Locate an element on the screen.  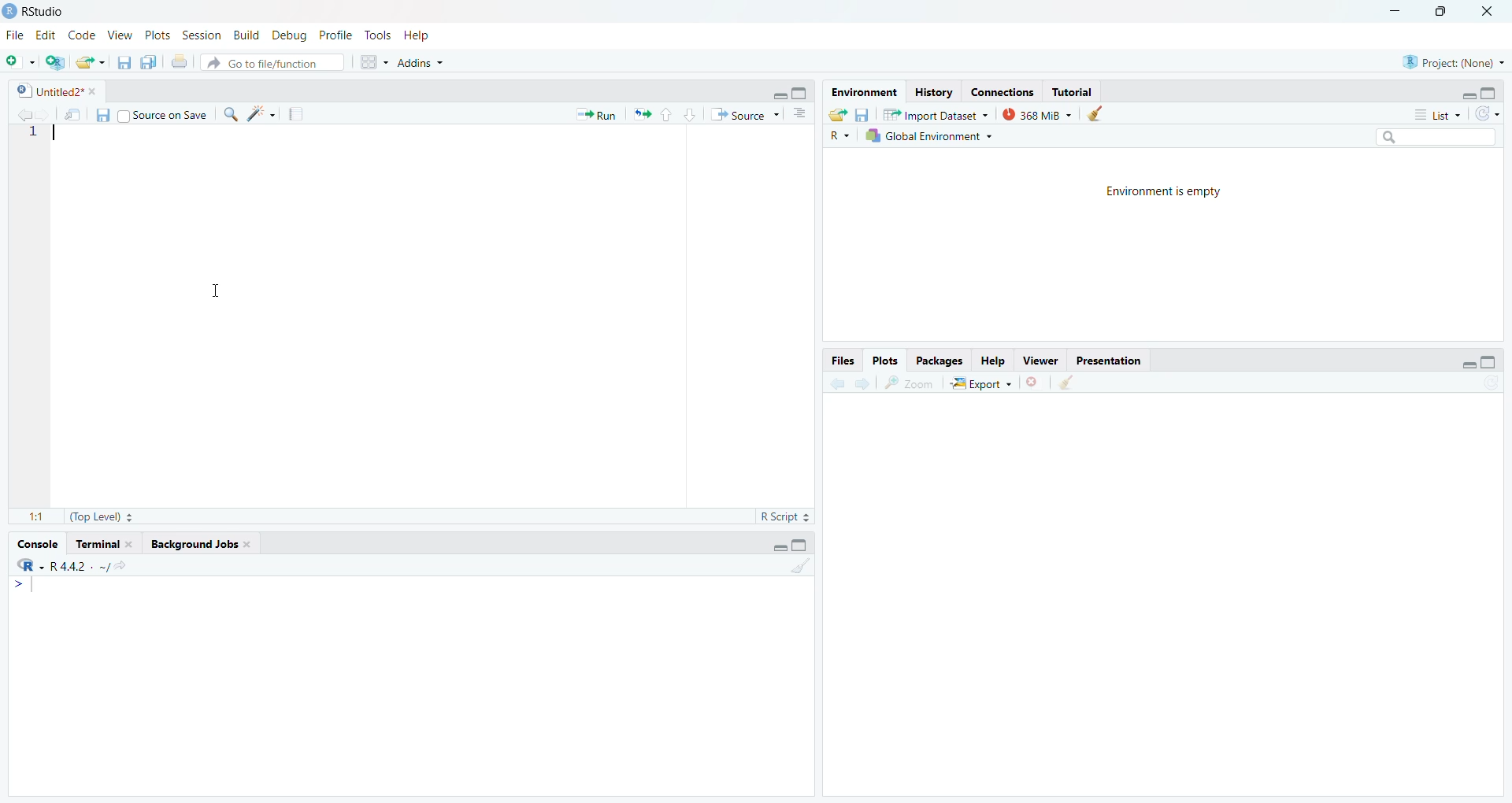
RStudio is located at coordinates (38, 12).